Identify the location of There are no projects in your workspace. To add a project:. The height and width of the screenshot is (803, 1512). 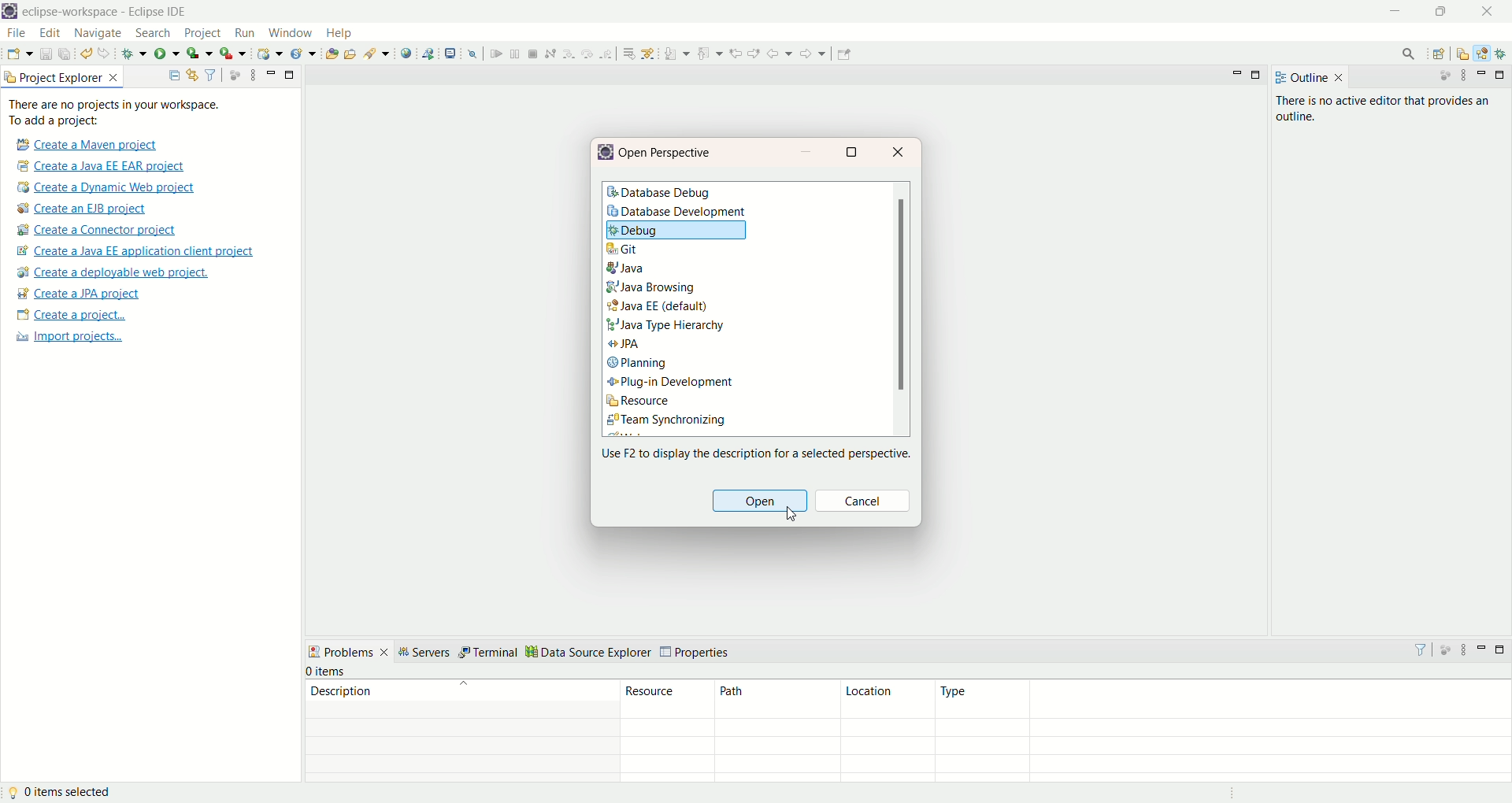
(117, 111).